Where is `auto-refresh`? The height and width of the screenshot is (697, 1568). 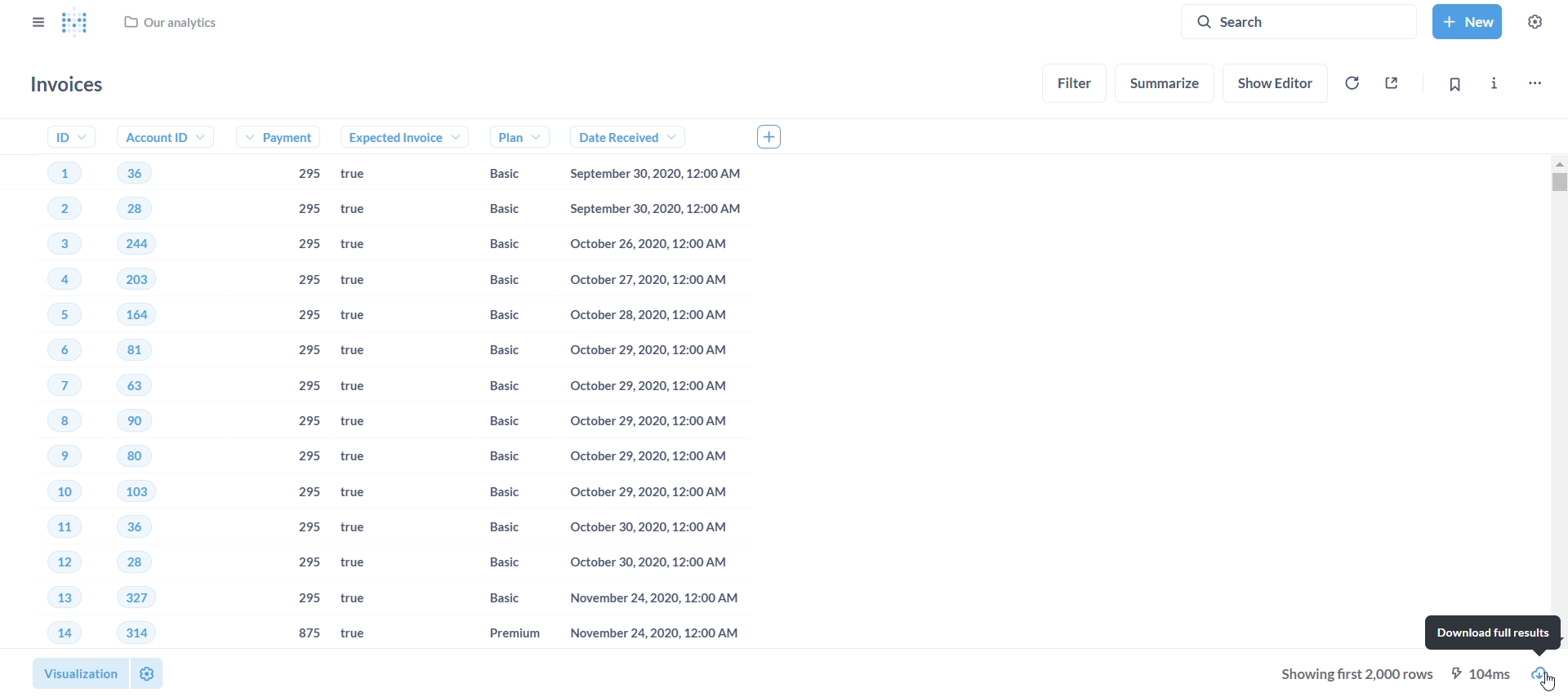 auto-refresh is located at coordinates (1351, 82).